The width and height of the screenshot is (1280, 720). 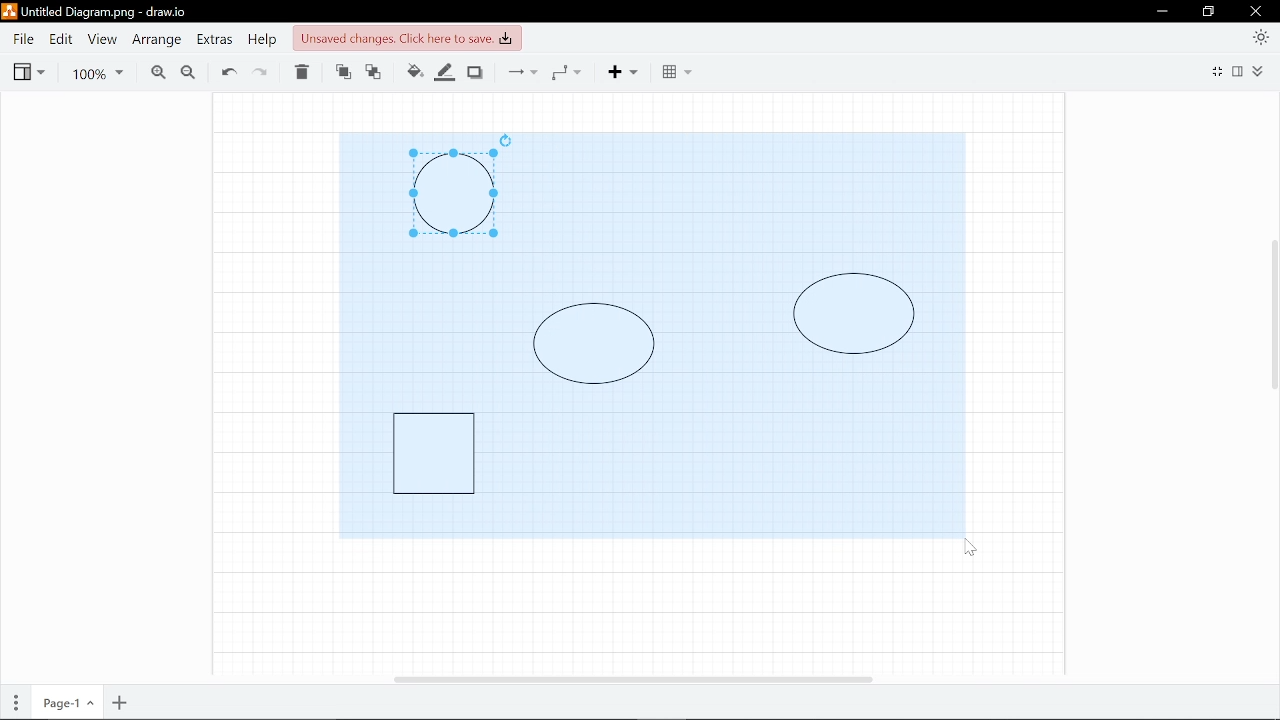 What do you see at coordinates (304, 73) in the screenshot?
I see `Delete` at bounding box center [304, 73].